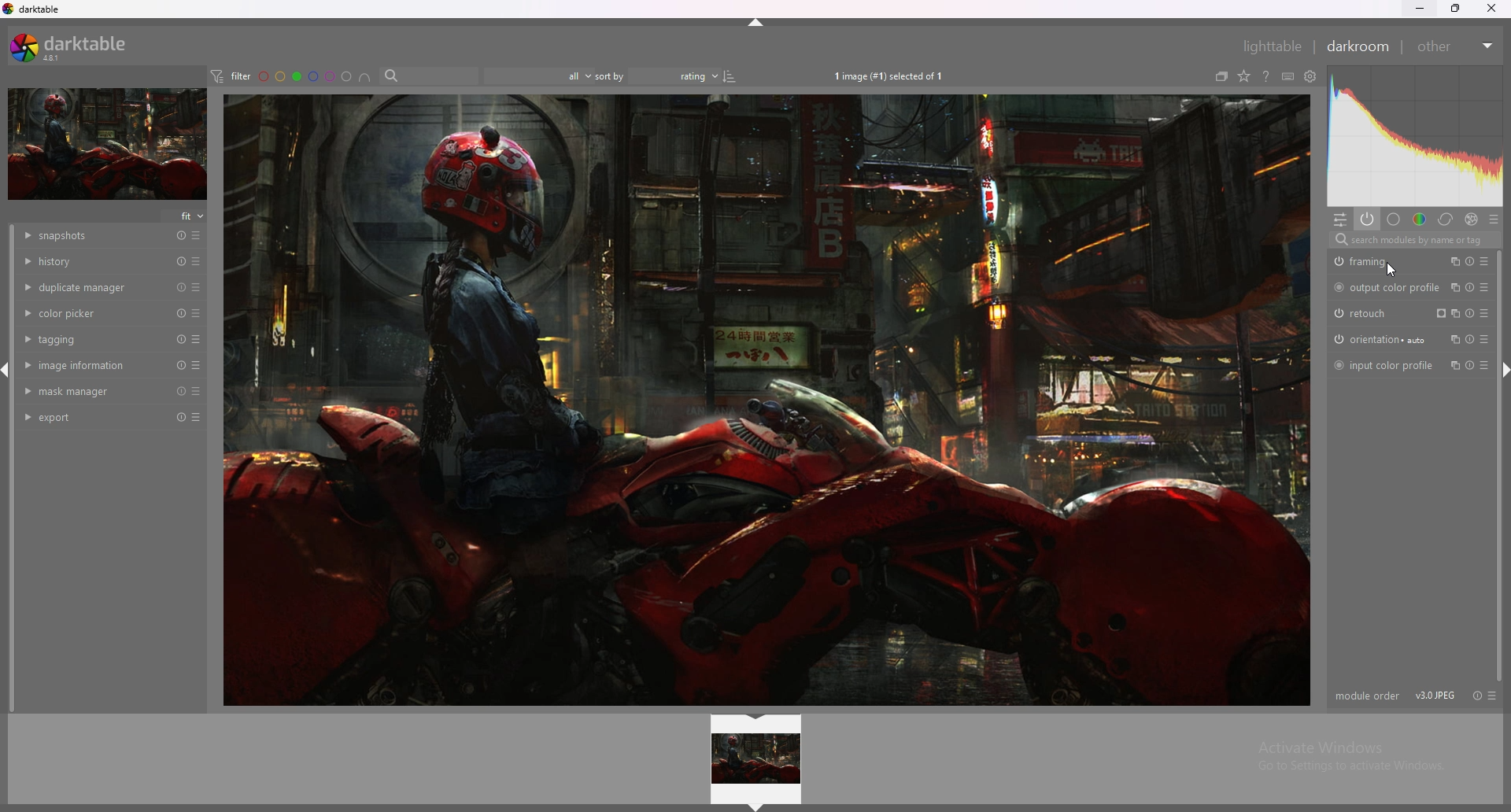 The width and height of the screenshot is (1511, 812). What do you see at coordinates (1457, 312) in the screenshot?
I see `multiple instances action` at bounding box center [1457, 312].